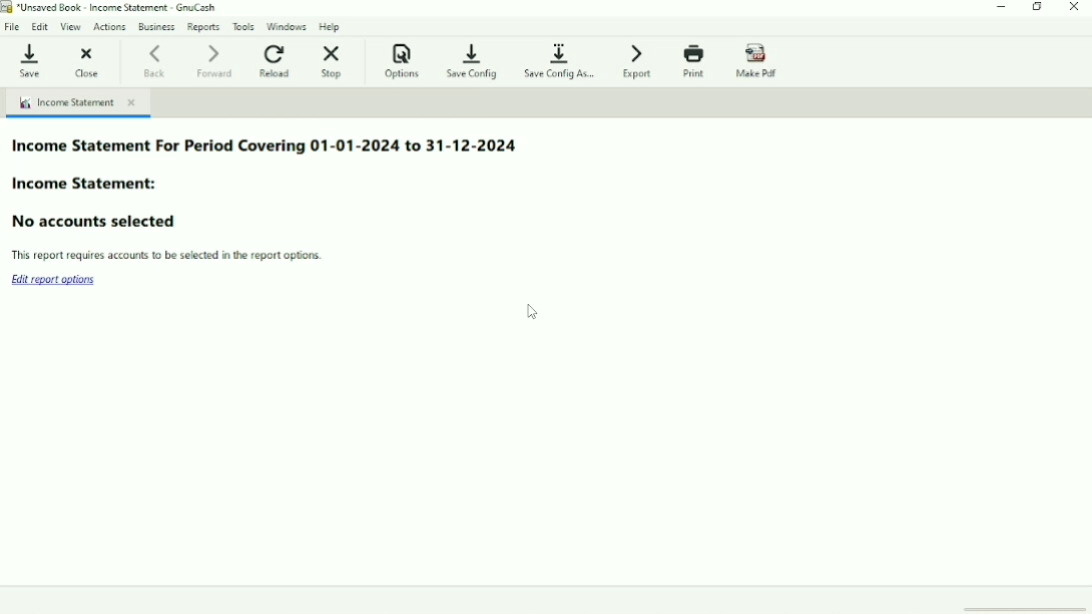 Image resolution: width=1092 pixels, height=614 pixels. Describe the element at coordinates (474, 62) in the screenshot. I see `Save Config` at that location.